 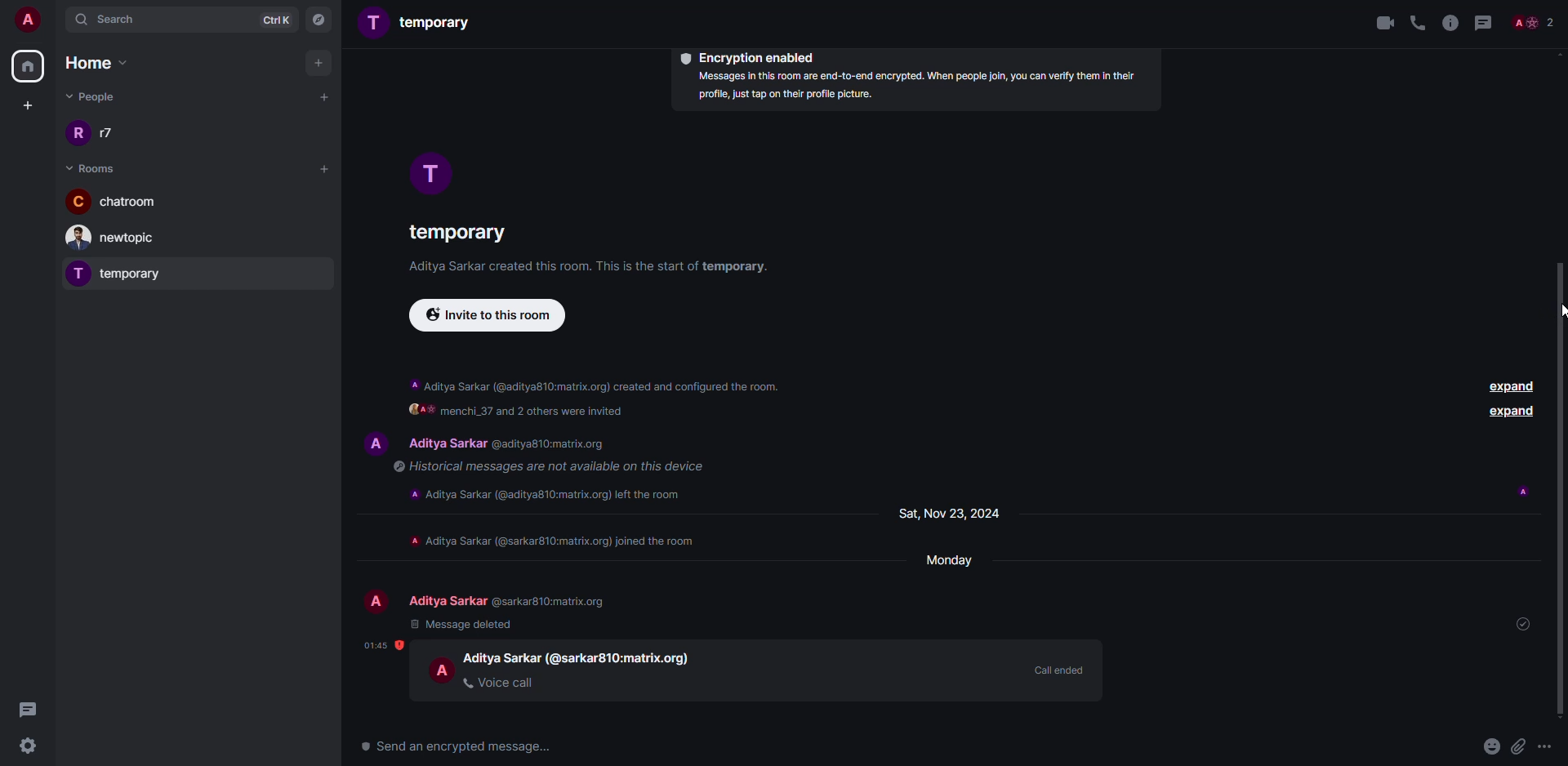 I want to click on © Historical messages are not available on this device, so click(x=546, y=465).